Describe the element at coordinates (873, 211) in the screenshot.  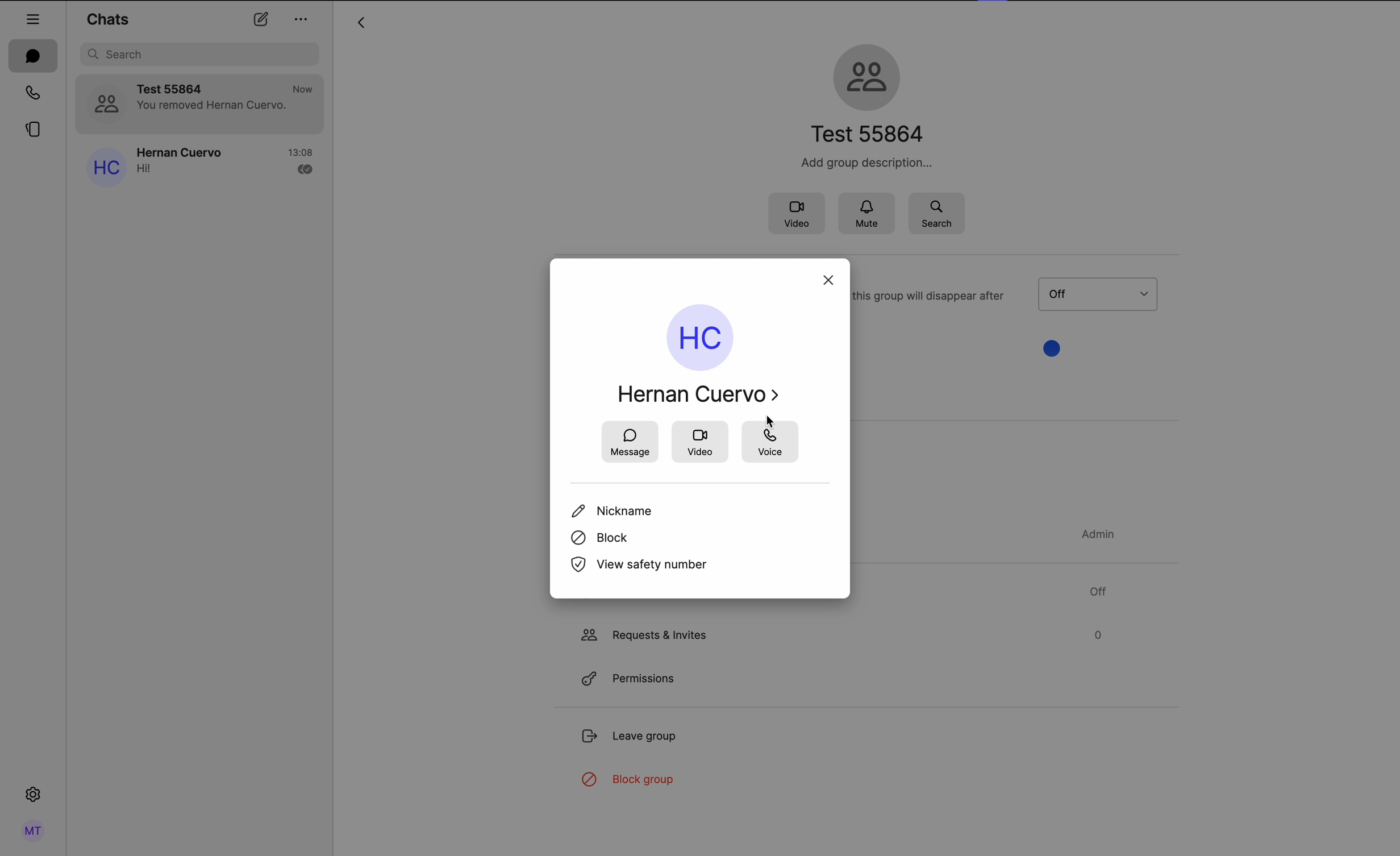
I see `mute` at that location.